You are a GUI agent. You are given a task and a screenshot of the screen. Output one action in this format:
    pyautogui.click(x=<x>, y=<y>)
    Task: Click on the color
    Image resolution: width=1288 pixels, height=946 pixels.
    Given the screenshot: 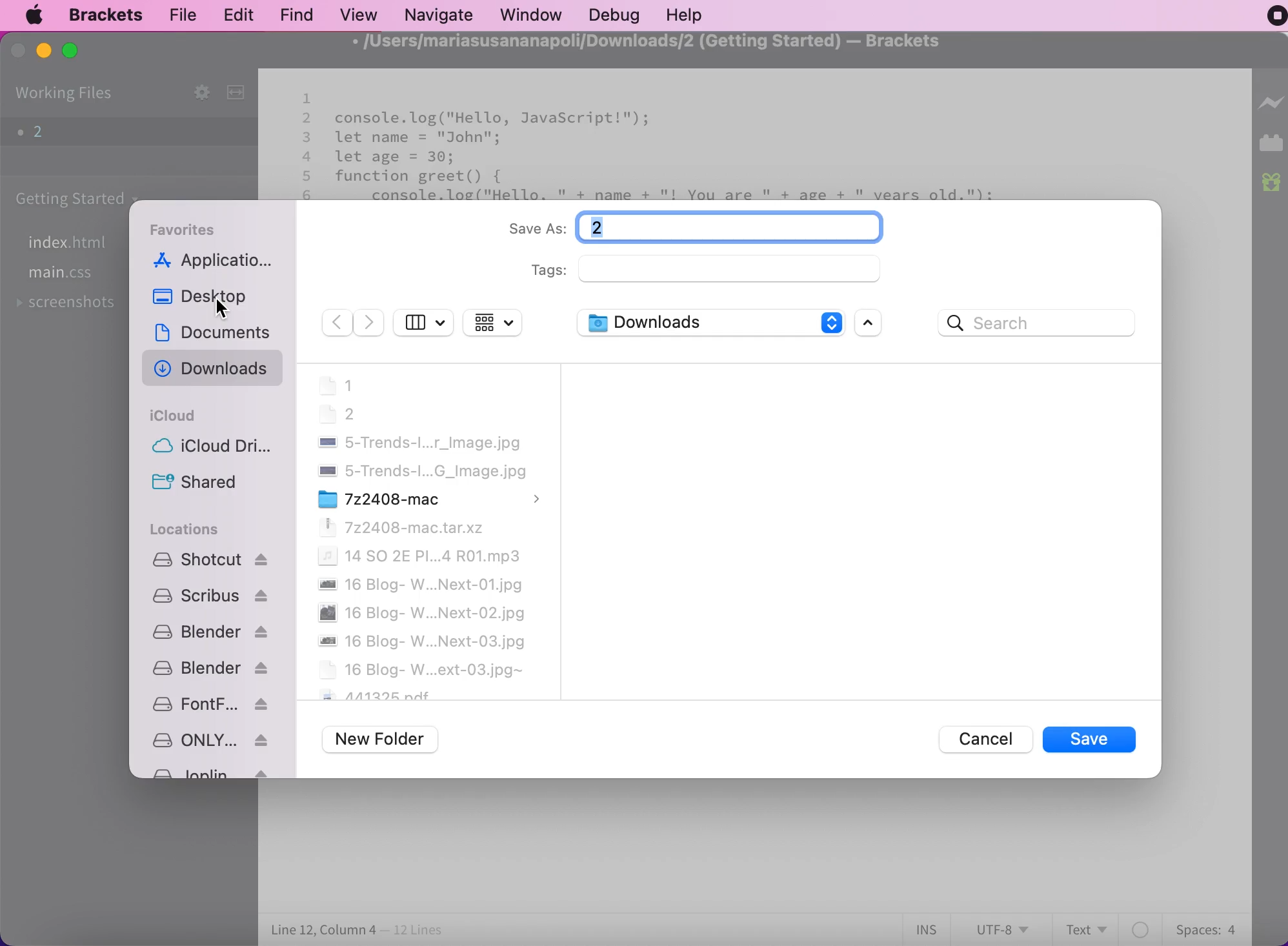 What is the action you would take?
    pyautogui.click(x=1142, y=929)
    